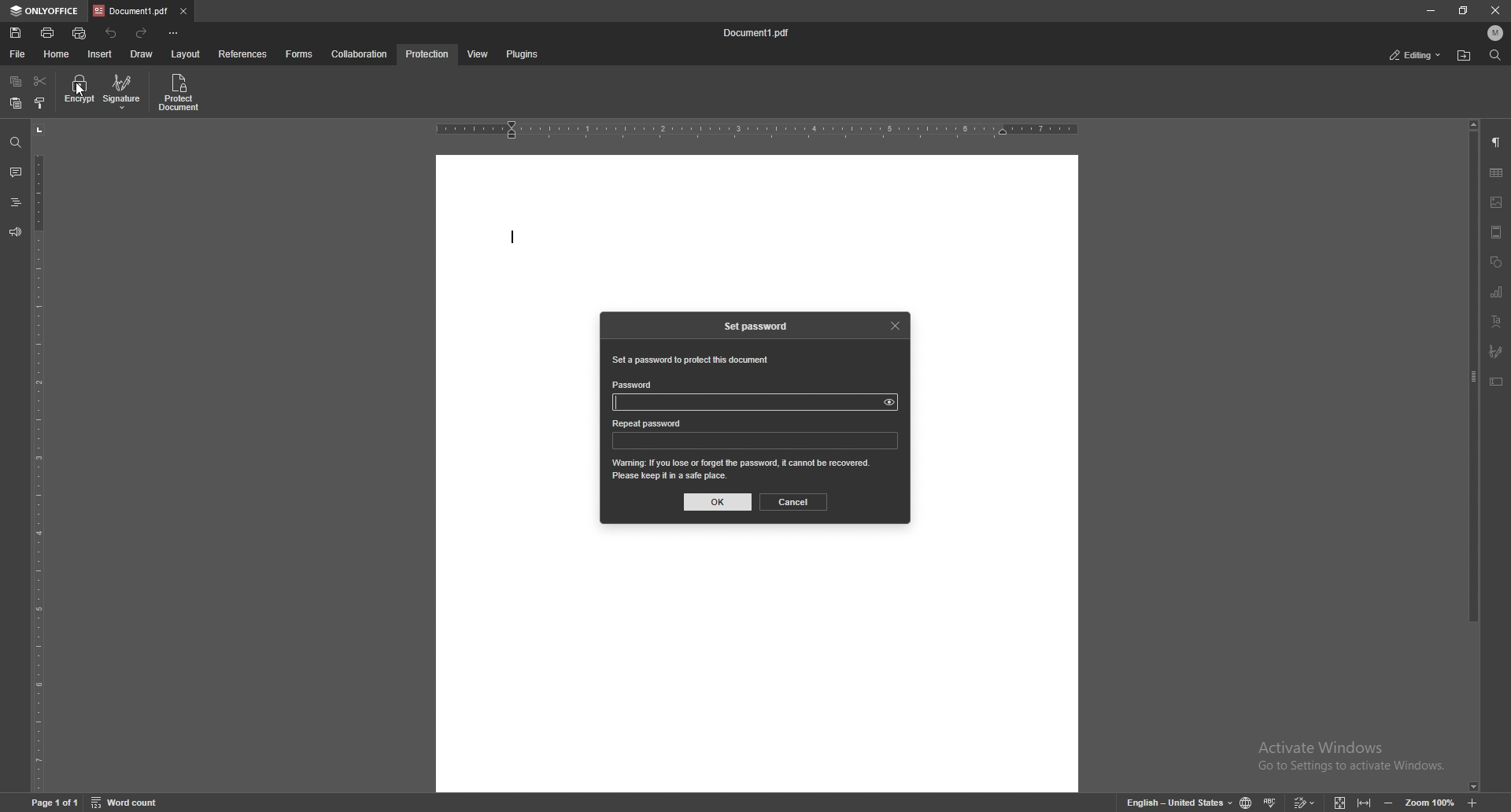  What do you see at coordinates (242, 55) in the screenshot?
I see `references` at bounding box center [242, 55].